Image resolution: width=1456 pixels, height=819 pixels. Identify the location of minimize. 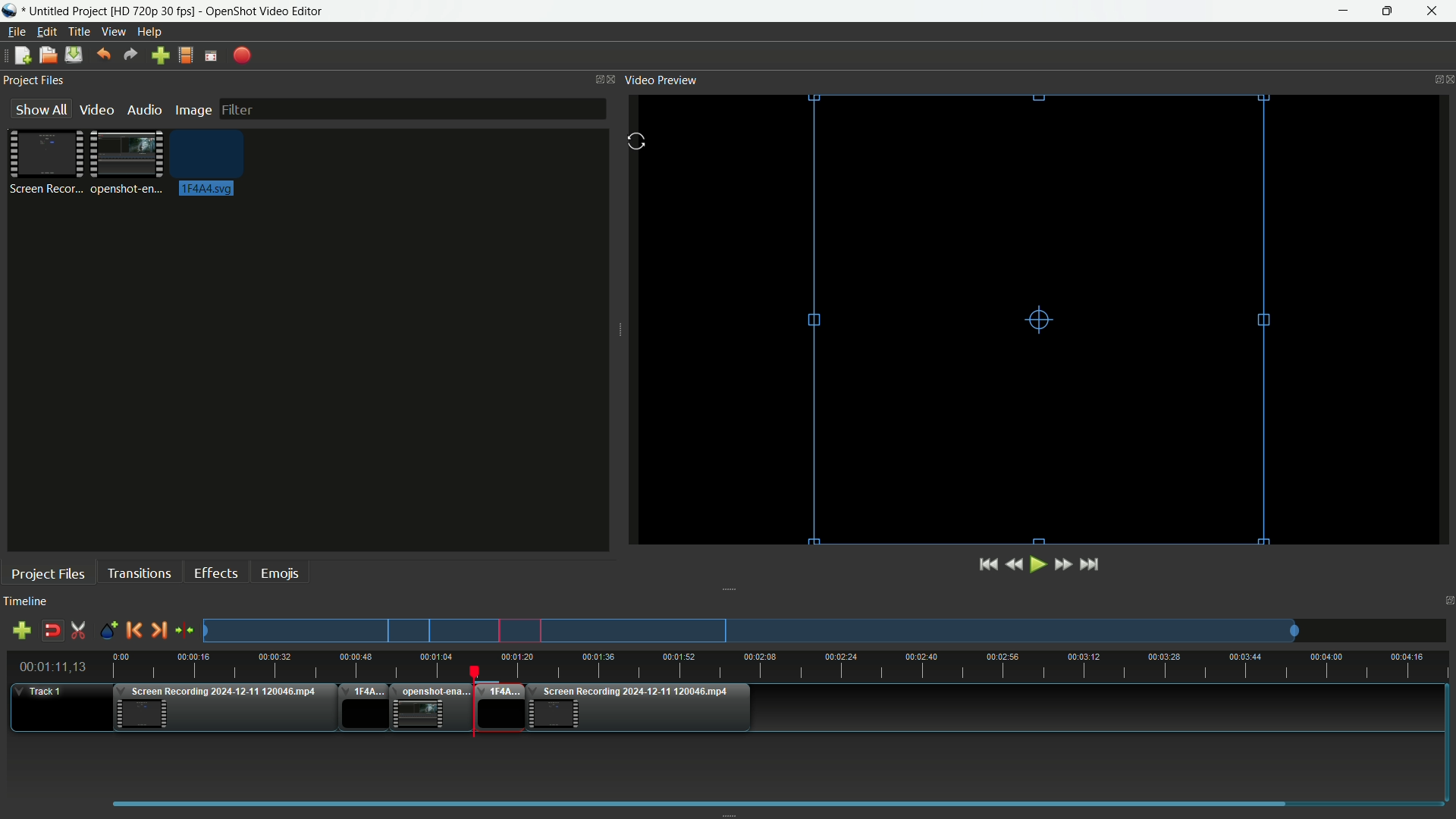
(1348, 11).